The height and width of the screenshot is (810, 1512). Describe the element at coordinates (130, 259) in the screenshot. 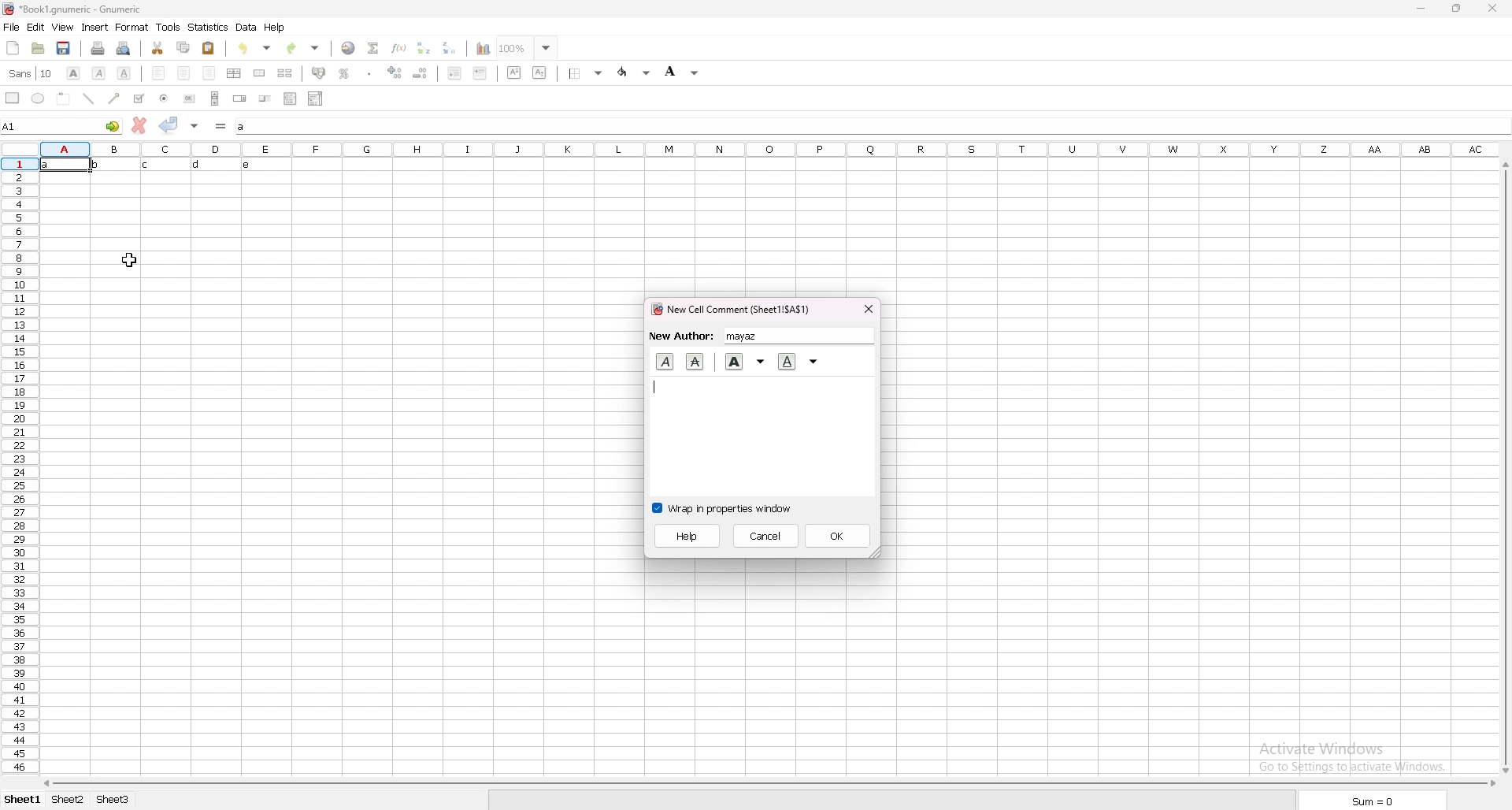

I see `cursor` at that location.